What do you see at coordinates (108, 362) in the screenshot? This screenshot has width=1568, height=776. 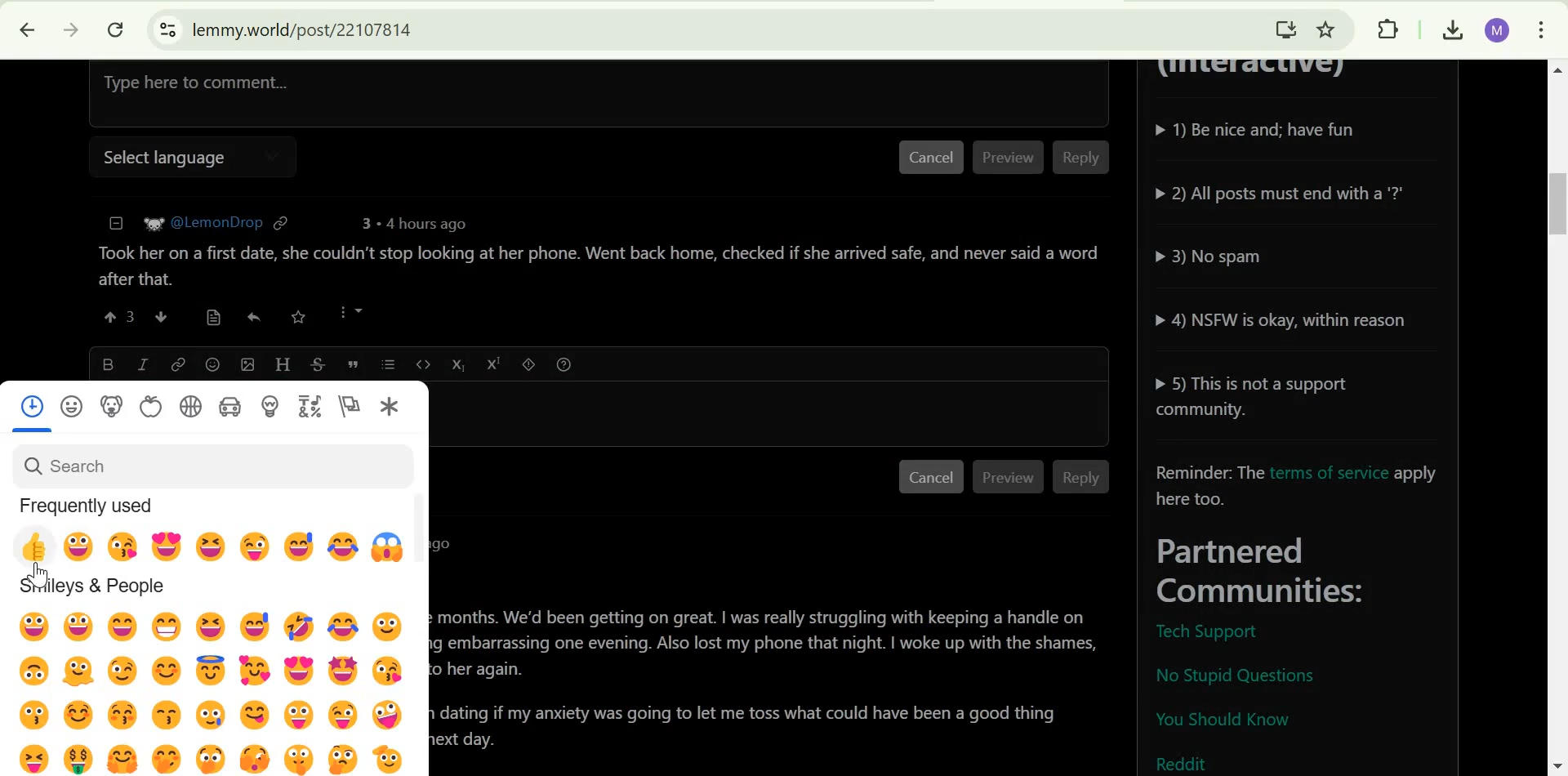 I see `Bold` at bounding box center [108, 362].